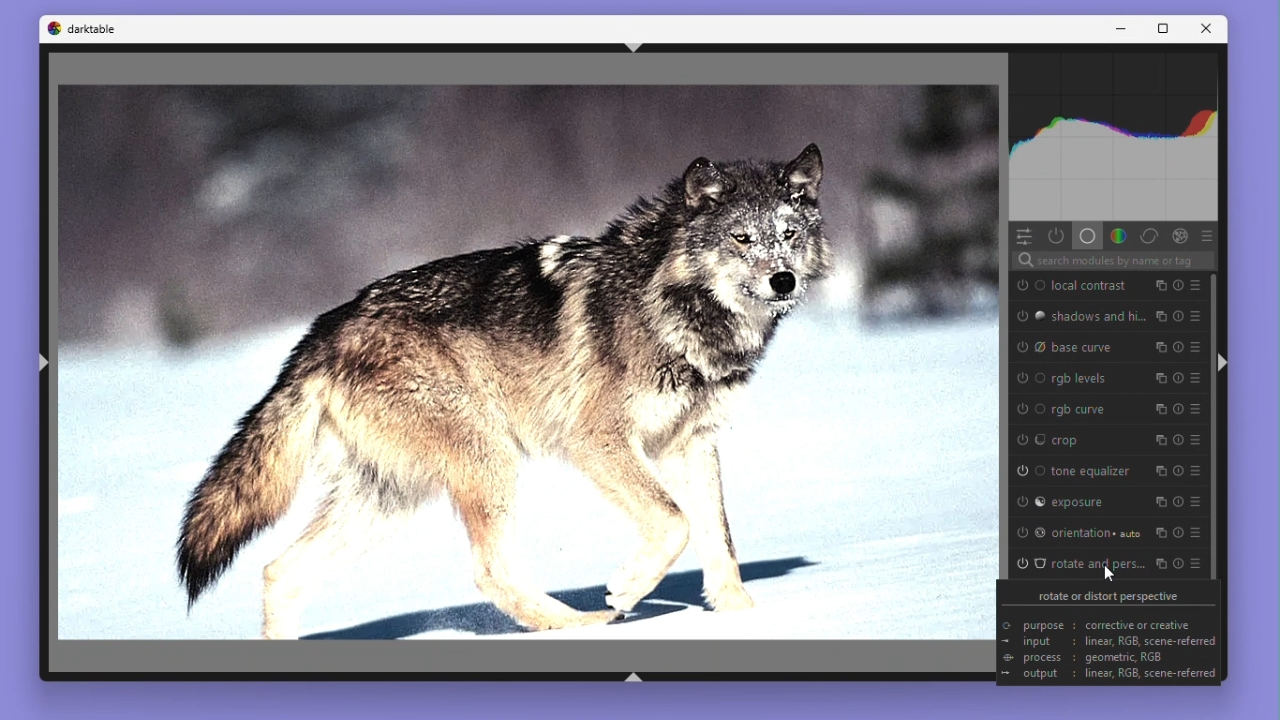  What do you see at coordinates (1058, 234) in the screenshot?
I see `Show only active modules` at bounding box center [1058, 234].